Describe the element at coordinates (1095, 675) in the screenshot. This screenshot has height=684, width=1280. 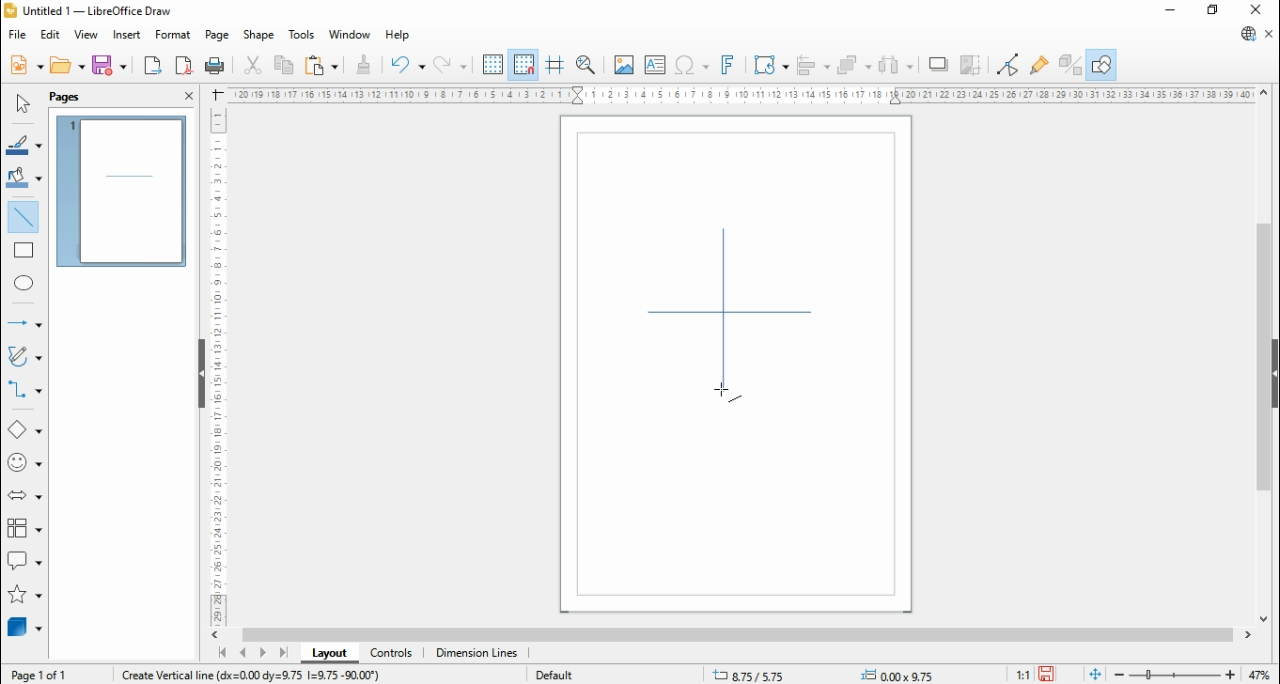
I see `fit document to window` at that location.